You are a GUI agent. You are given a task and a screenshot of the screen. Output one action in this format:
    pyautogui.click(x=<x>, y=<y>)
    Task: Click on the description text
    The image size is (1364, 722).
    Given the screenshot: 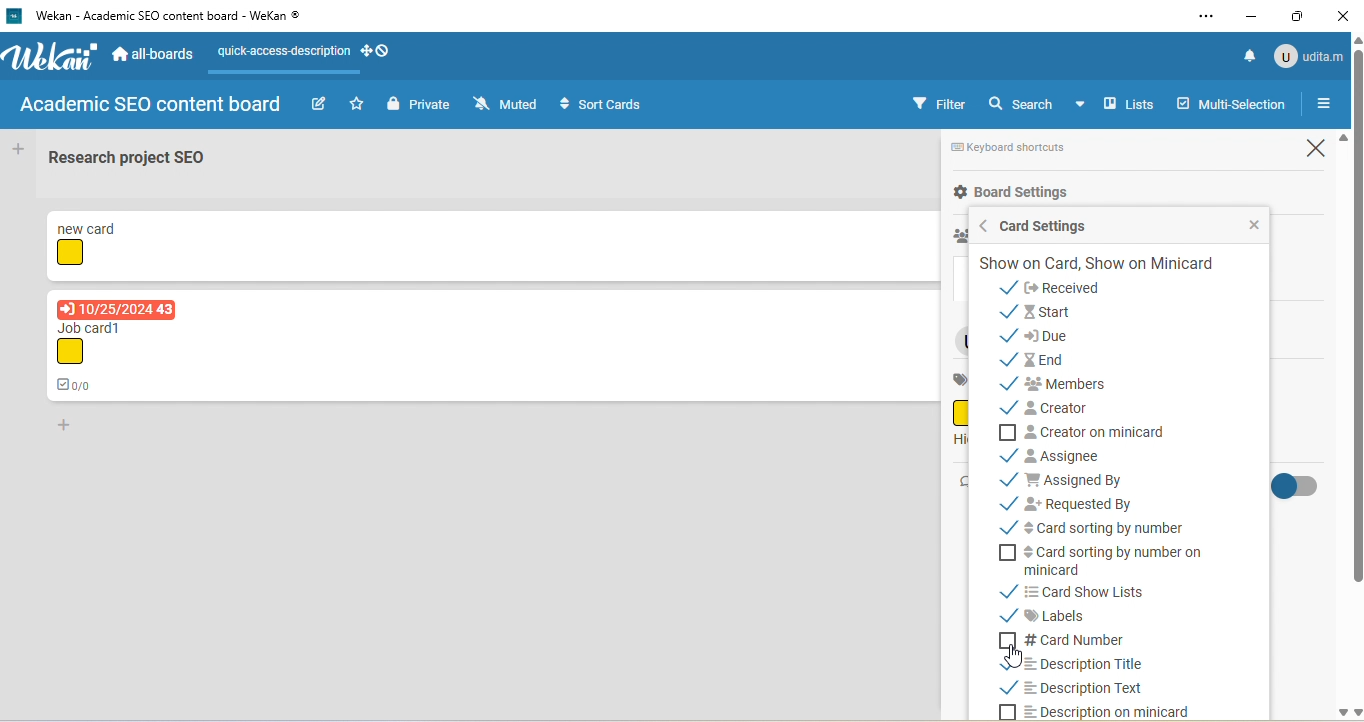 What is the action you would take?
    pyautogui.click(x=1087, y=690)
    